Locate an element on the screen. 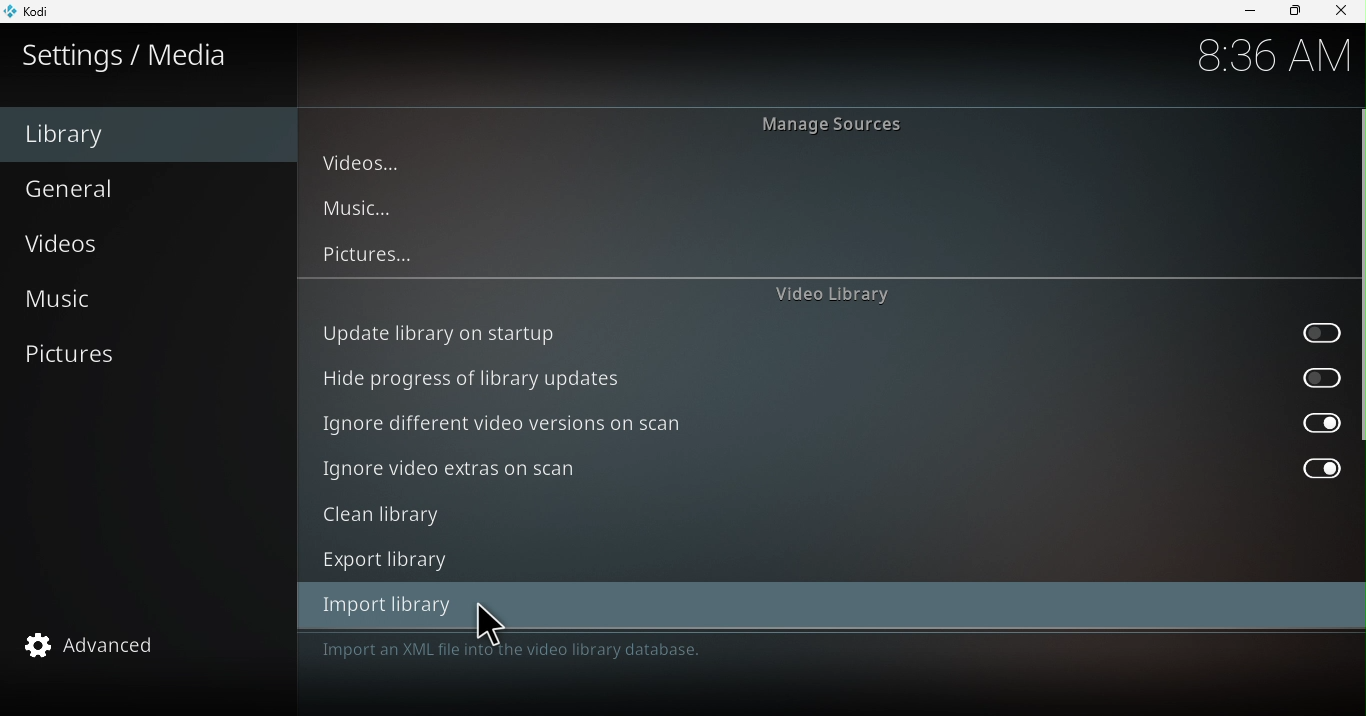 The image size is (1366, 716). 8:36 AM is located at coordinates (1267, 57).